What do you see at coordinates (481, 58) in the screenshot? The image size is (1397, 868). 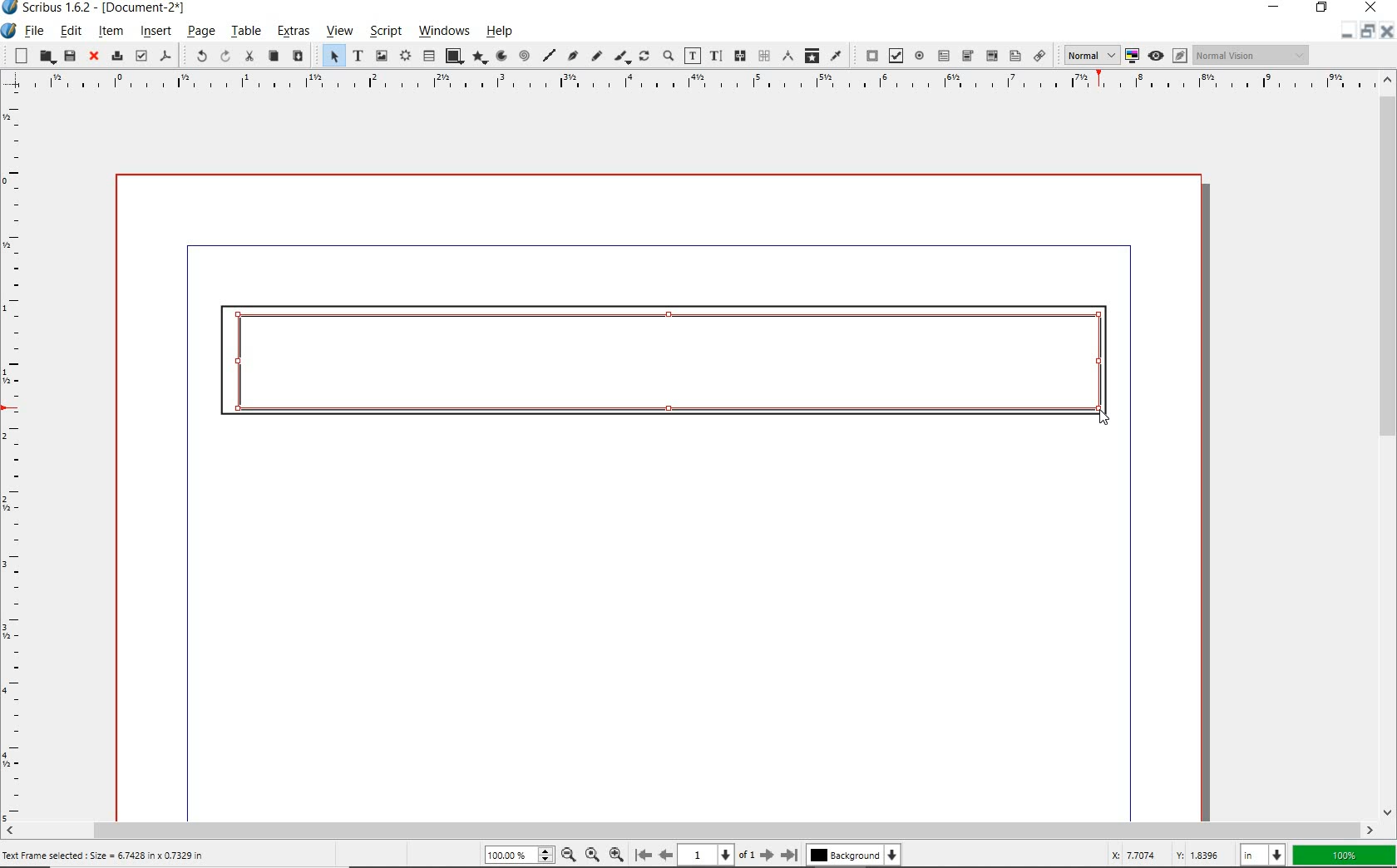 I see `polygon` at bounding box center [481, 58].